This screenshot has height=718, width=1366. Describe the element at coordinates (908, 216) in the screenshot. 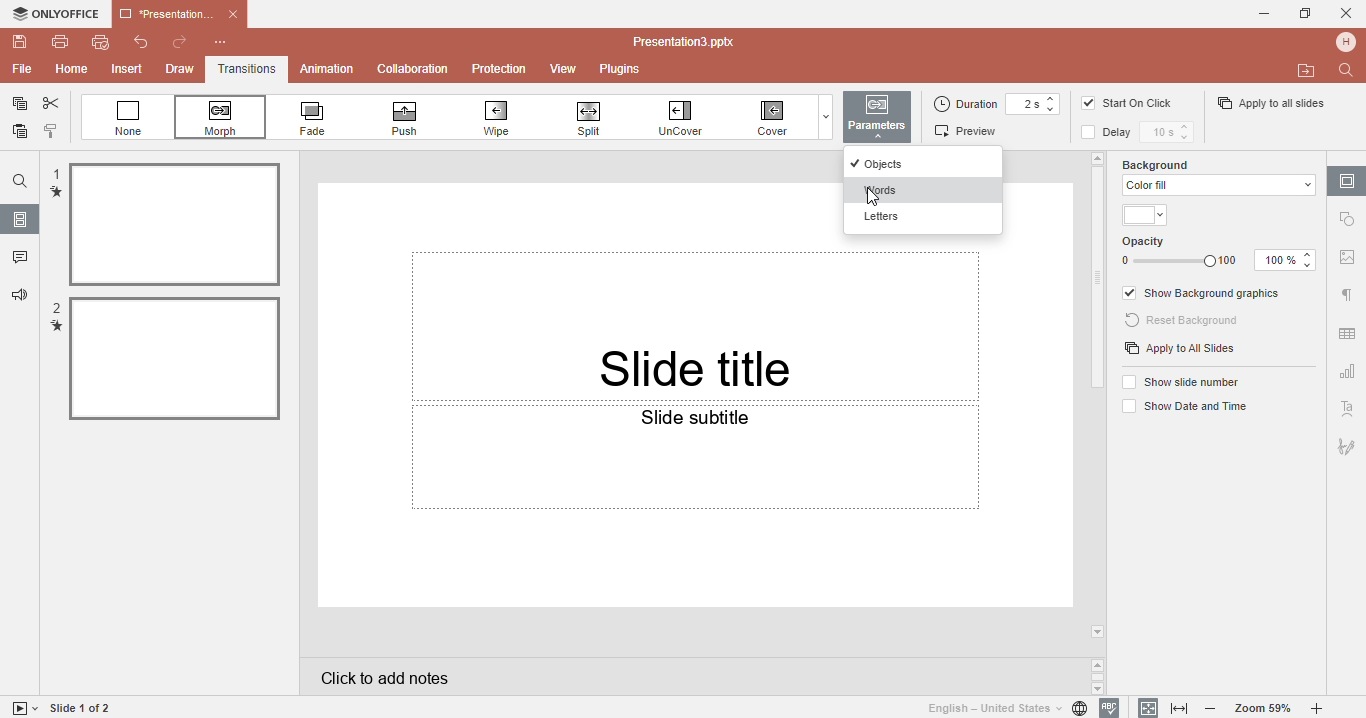

I see `Letters` at that location.